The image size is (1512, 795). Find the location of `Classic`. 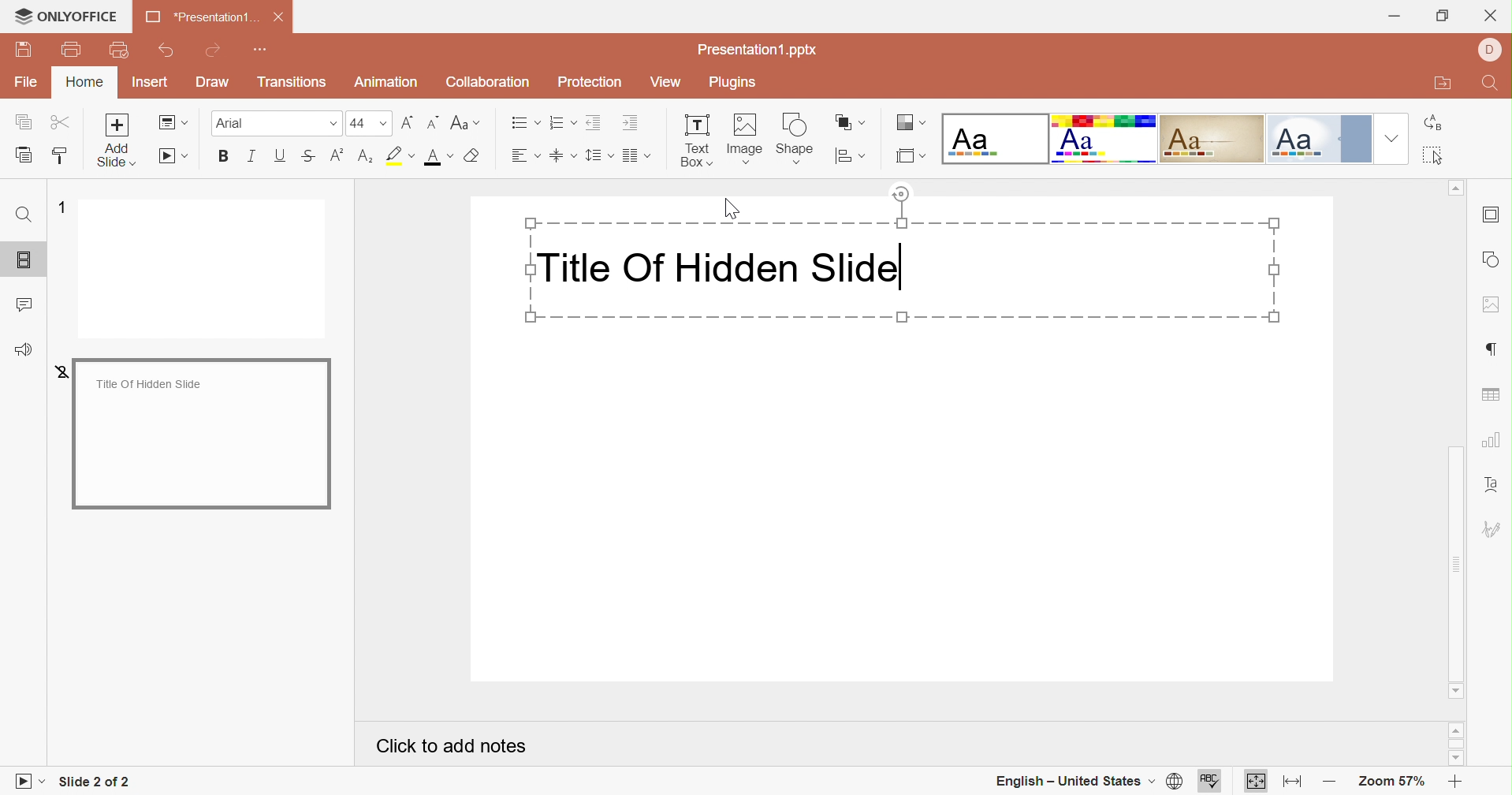

Classic is located at coordinates (1210, 139).